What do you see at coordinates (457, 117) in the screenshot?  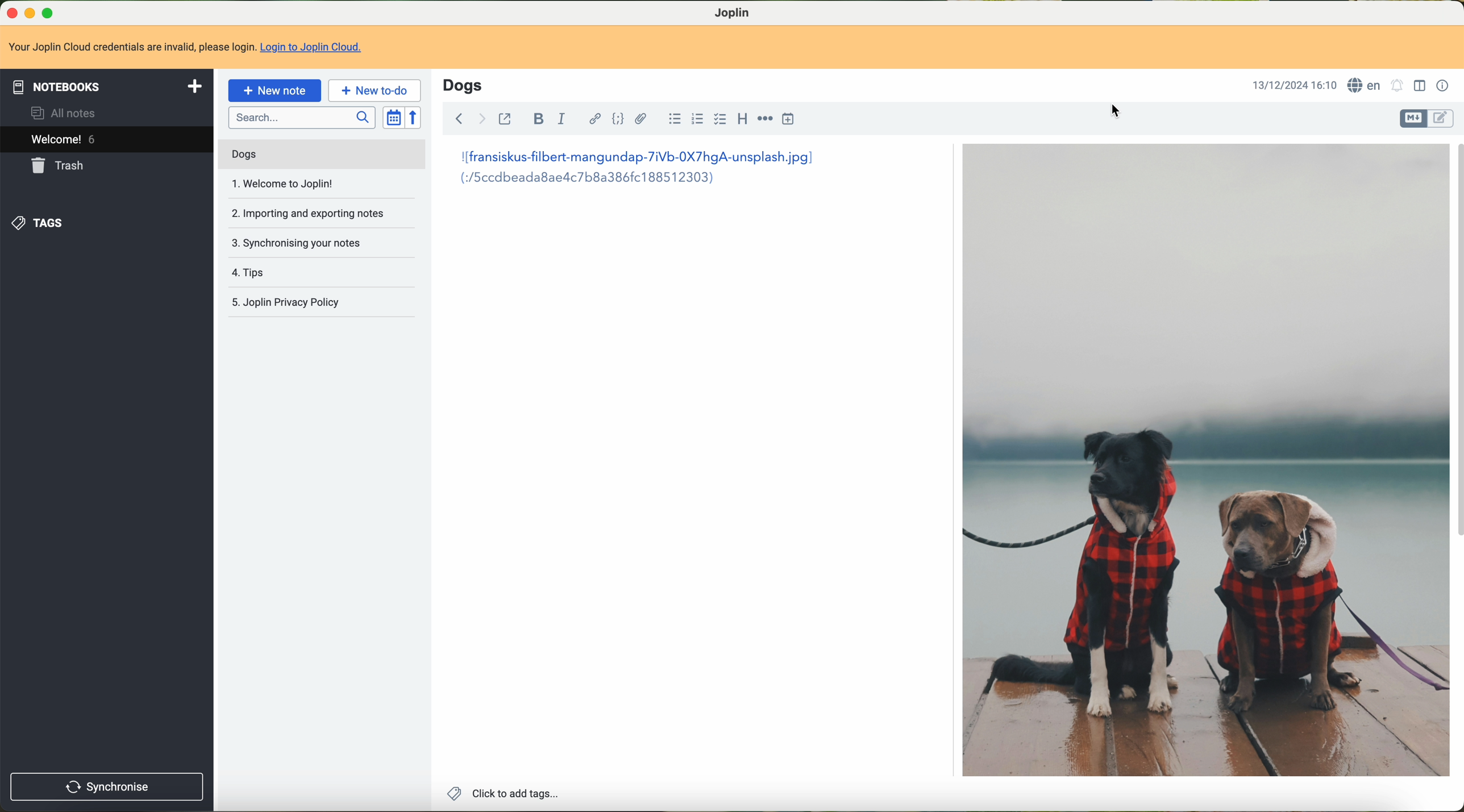 I see `navigate back arrow` at bounding box center [457, 117].